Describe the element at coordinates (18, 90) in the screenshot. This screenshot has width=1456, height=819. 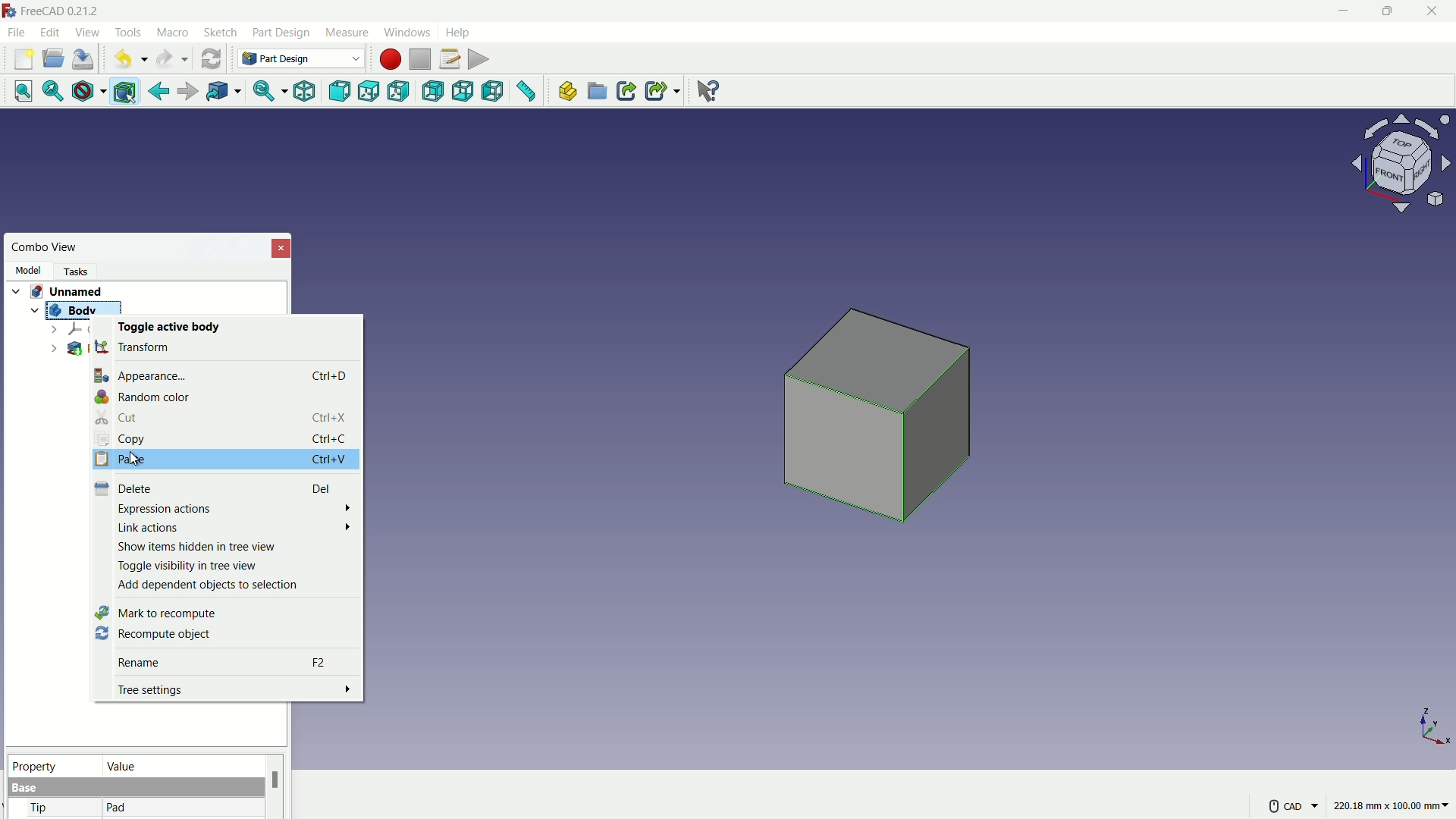
I see `fit all` at that location.